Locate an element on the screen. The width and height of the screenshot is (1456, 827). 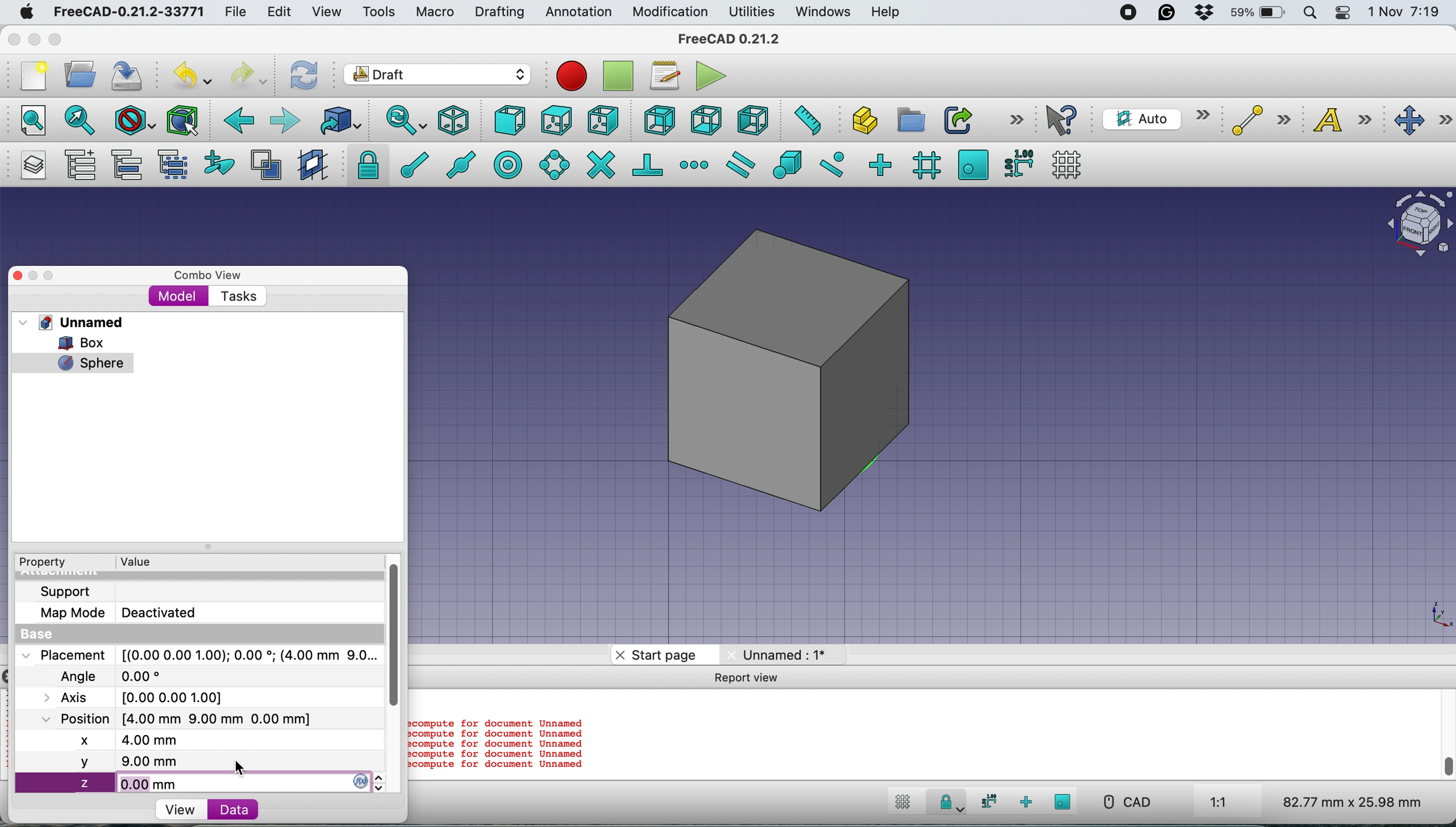
toggle grid is located at coordinates (1067, 165).